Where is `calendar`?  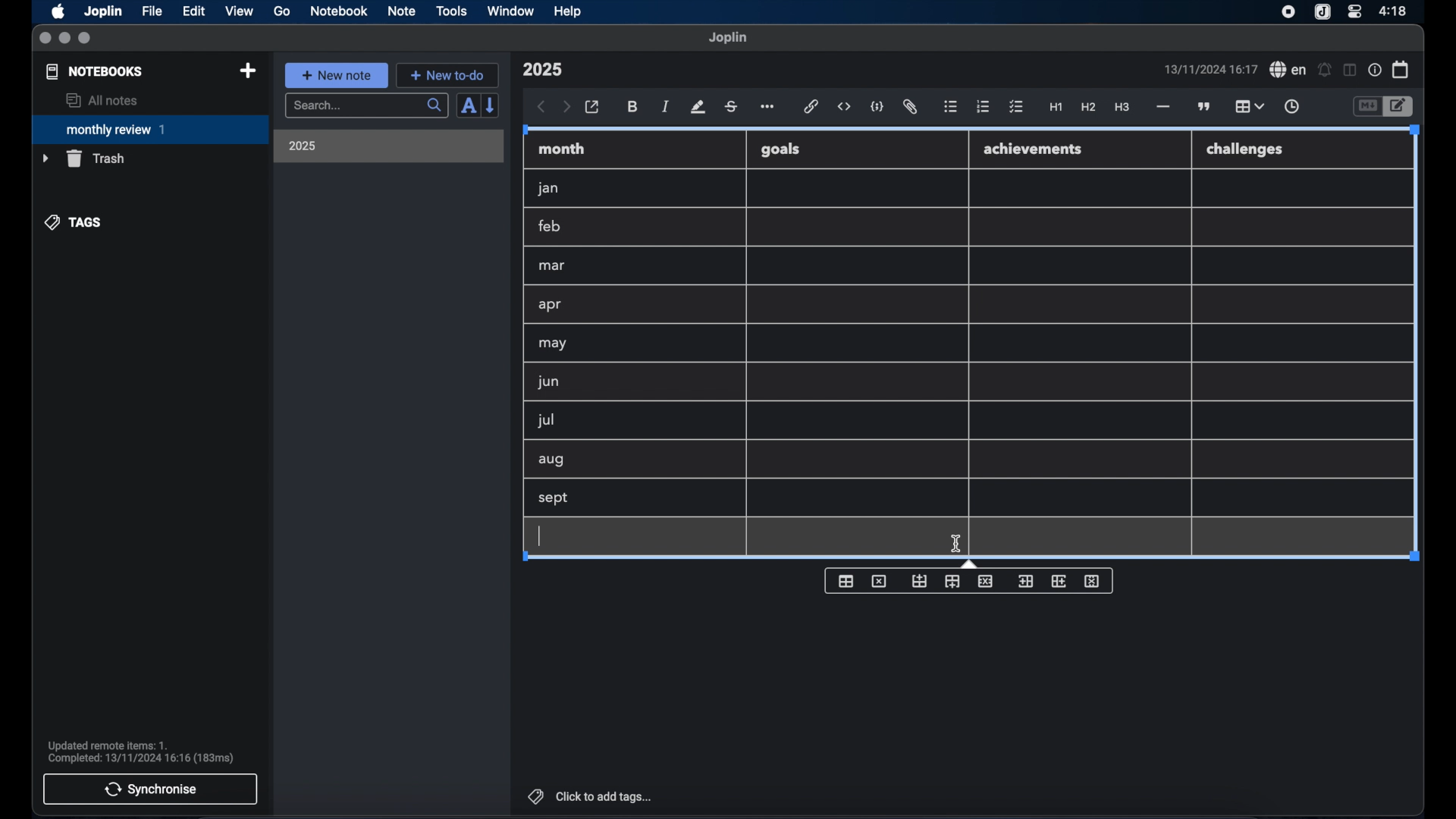
calendar is located at coordinates (1401, 69).